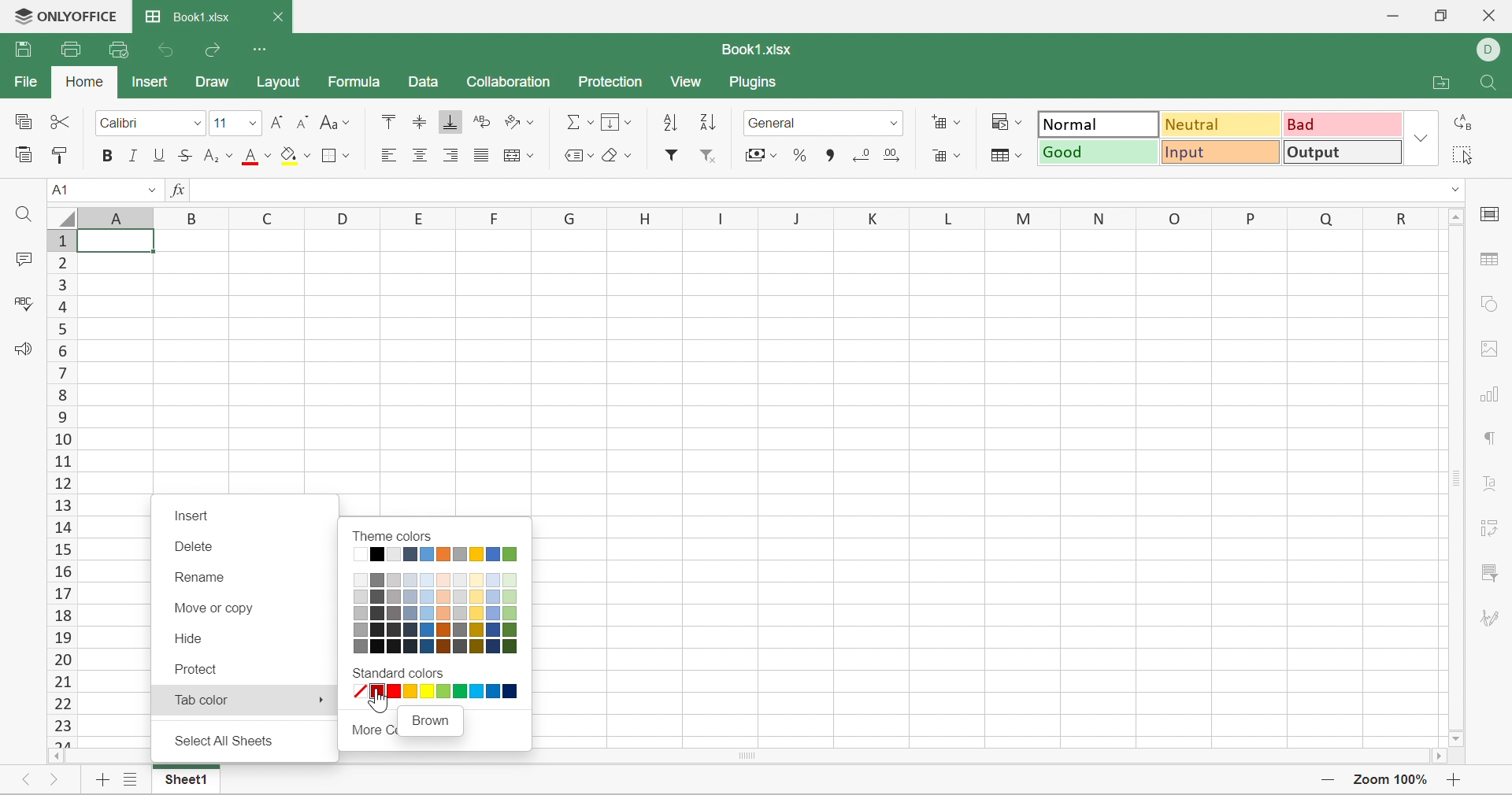  Describe the element at coordinates (24, 48) in the screenshot. I see `Save` at that location.